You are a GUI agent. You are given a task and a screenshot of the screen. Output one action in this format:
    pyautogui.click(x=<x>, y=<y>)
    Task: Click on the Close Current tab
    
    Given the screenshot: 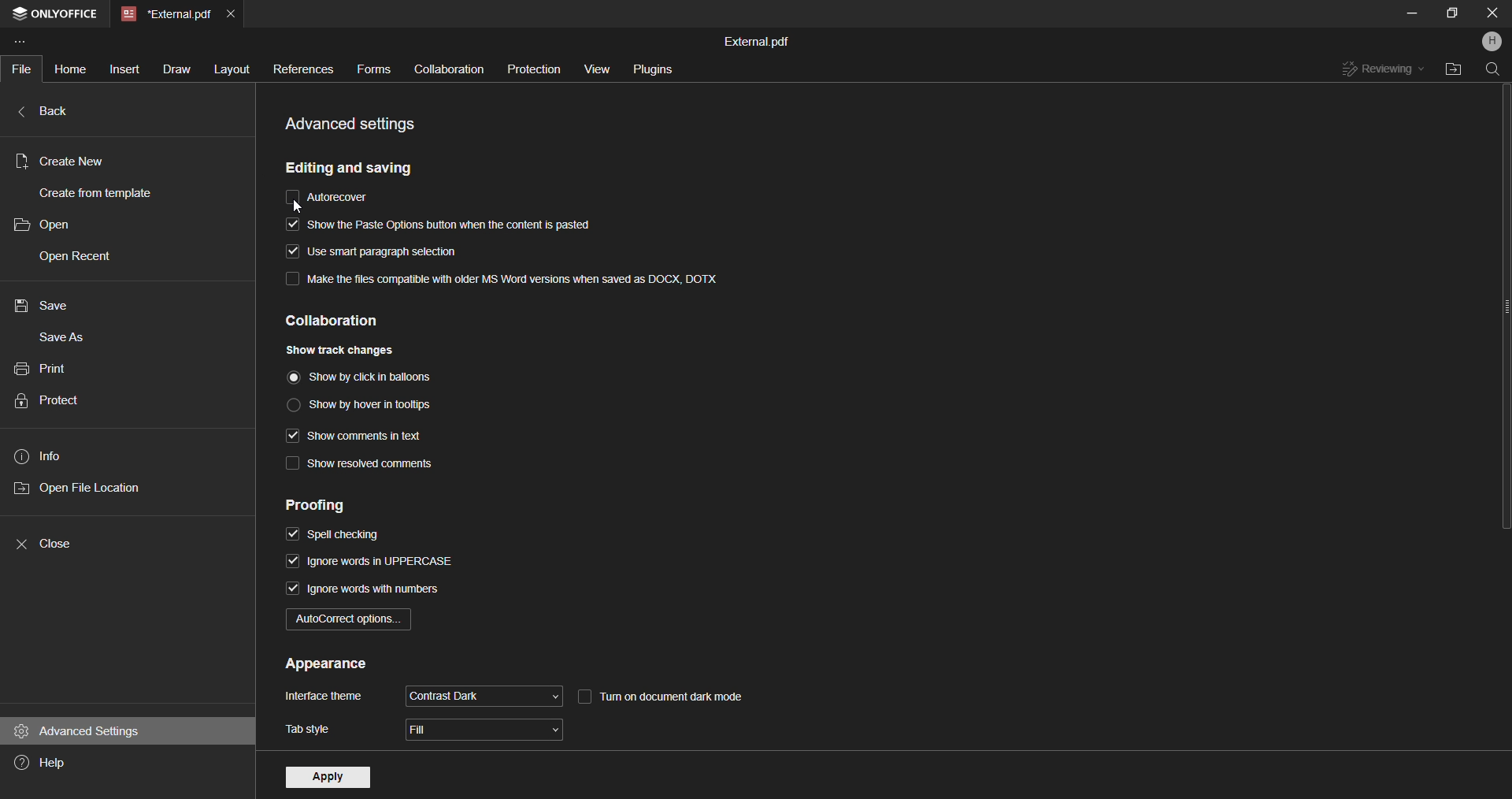 What is the action you would take?
    pyautogui.click(x=232, y=12)
    